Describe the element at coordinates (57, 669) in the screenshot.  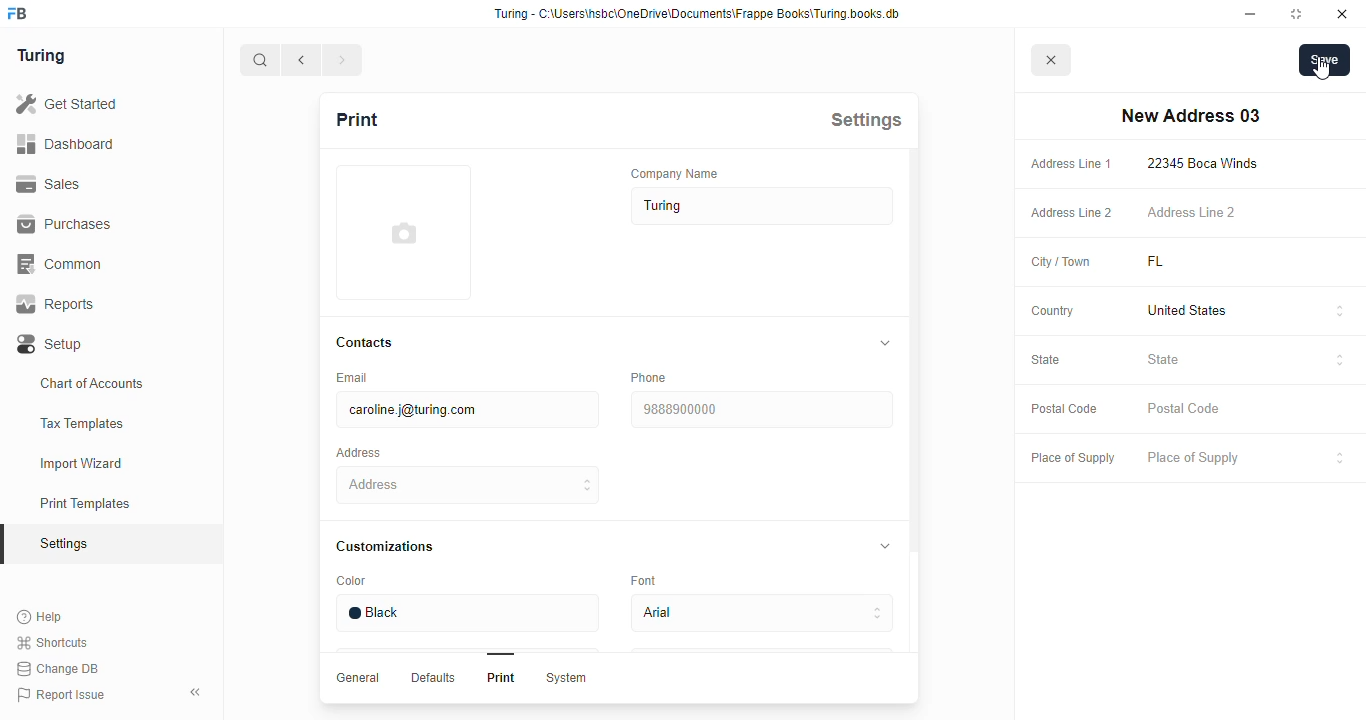
I see `change DB` at that location.